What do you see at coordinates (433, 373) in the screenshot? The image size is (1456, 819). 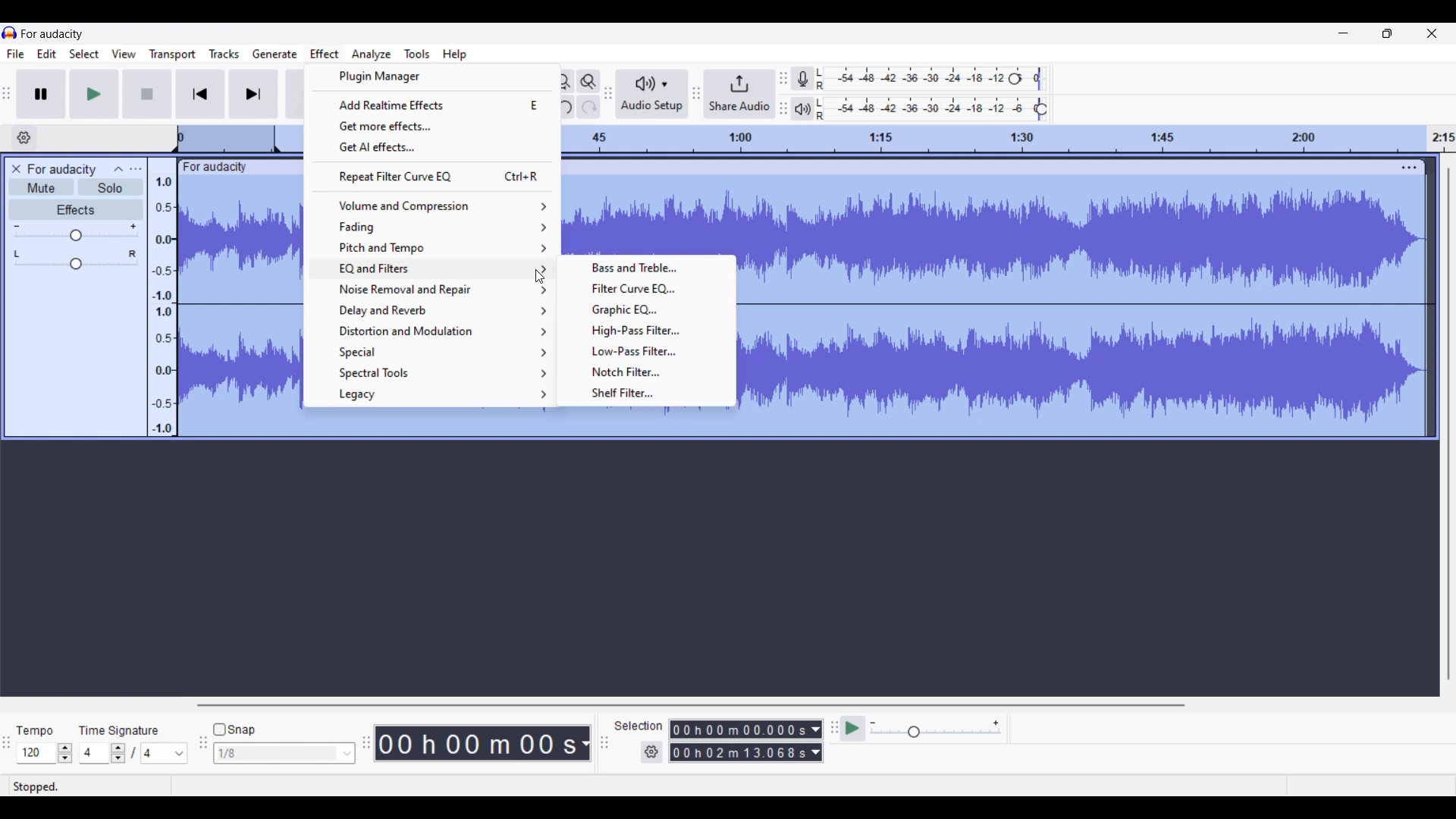 I see `Spectral tool options` at bounding box center [433, 373].